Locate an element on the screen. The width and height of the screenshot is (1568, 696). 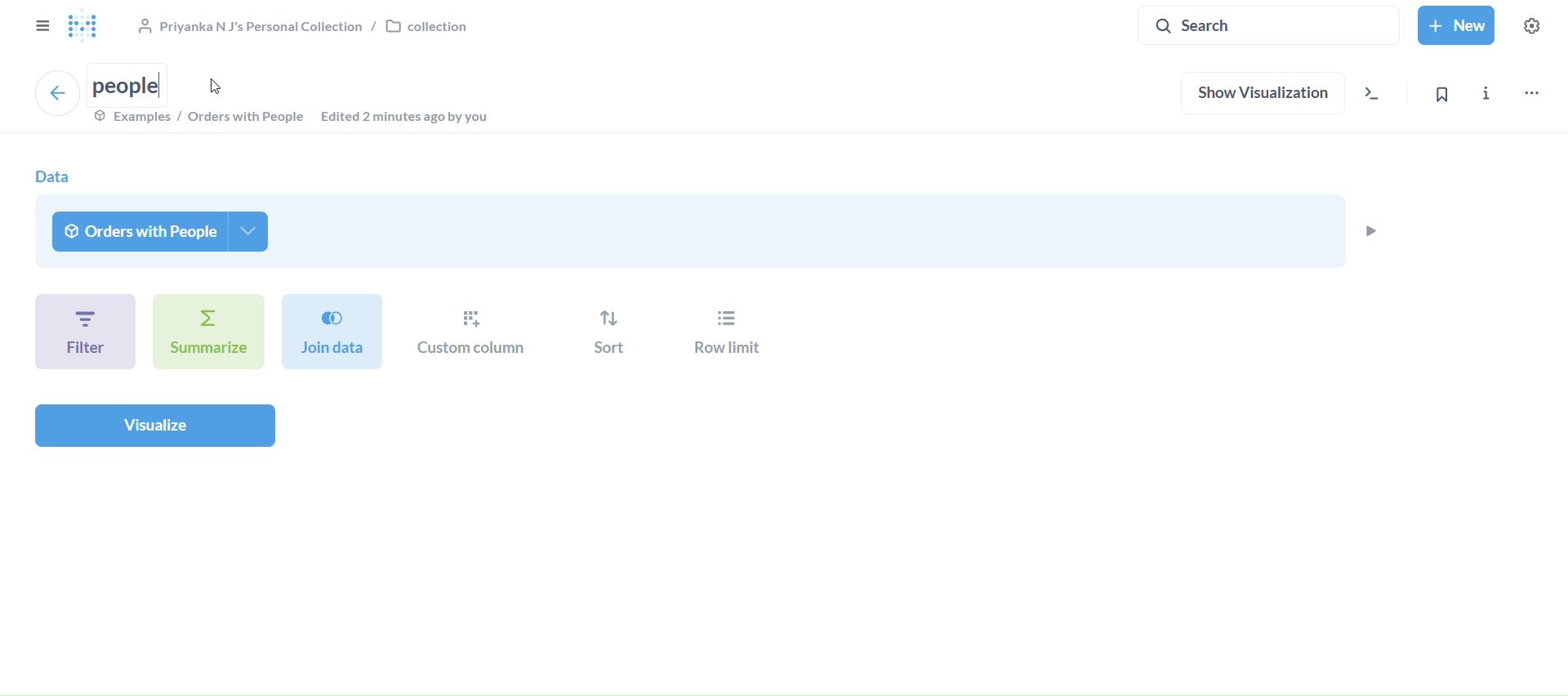
show visualization is located at coordinates (1264, 95).